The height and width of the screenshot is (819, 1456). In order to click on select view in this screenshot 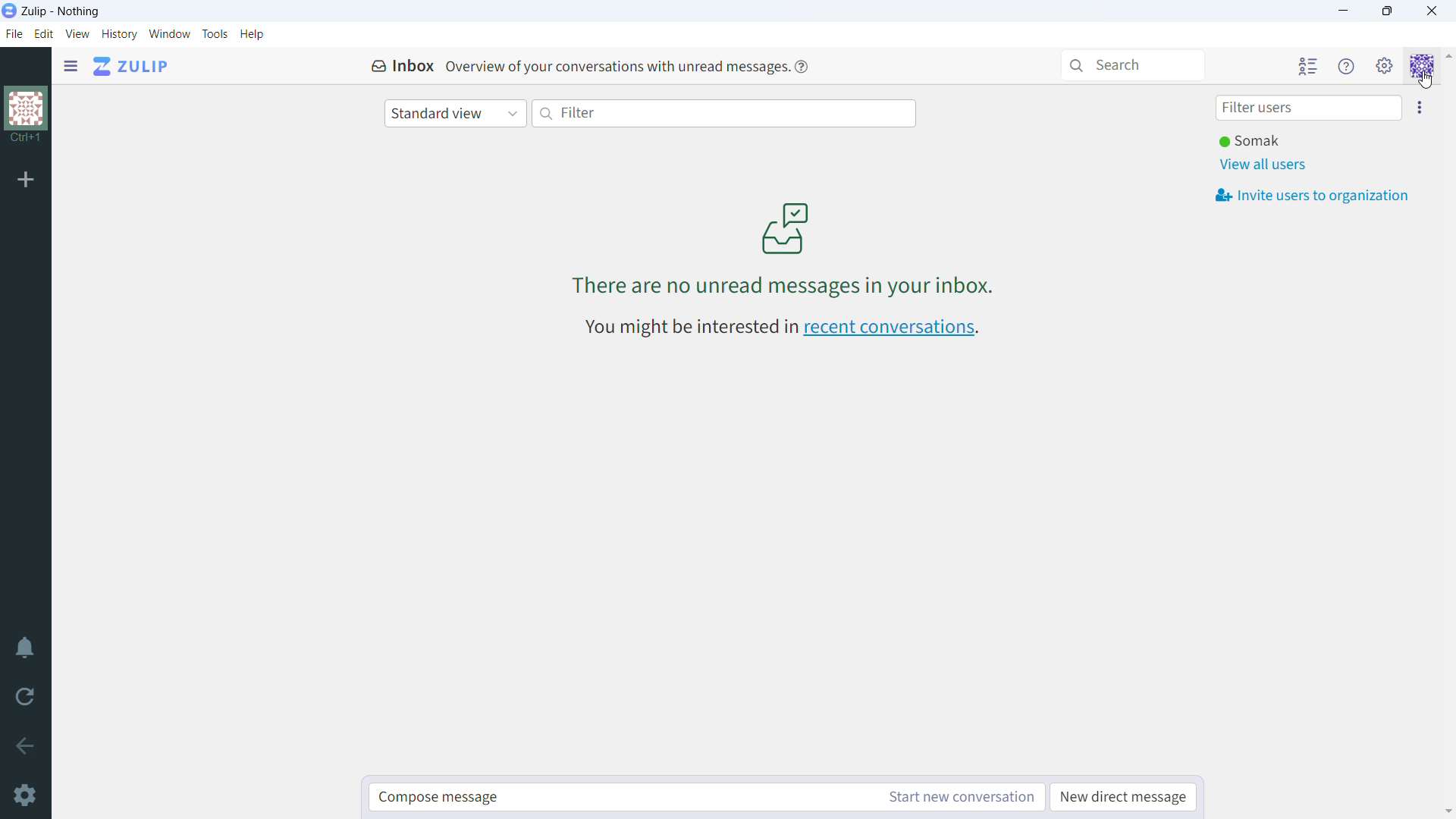, I will do `click(455, 114)`.